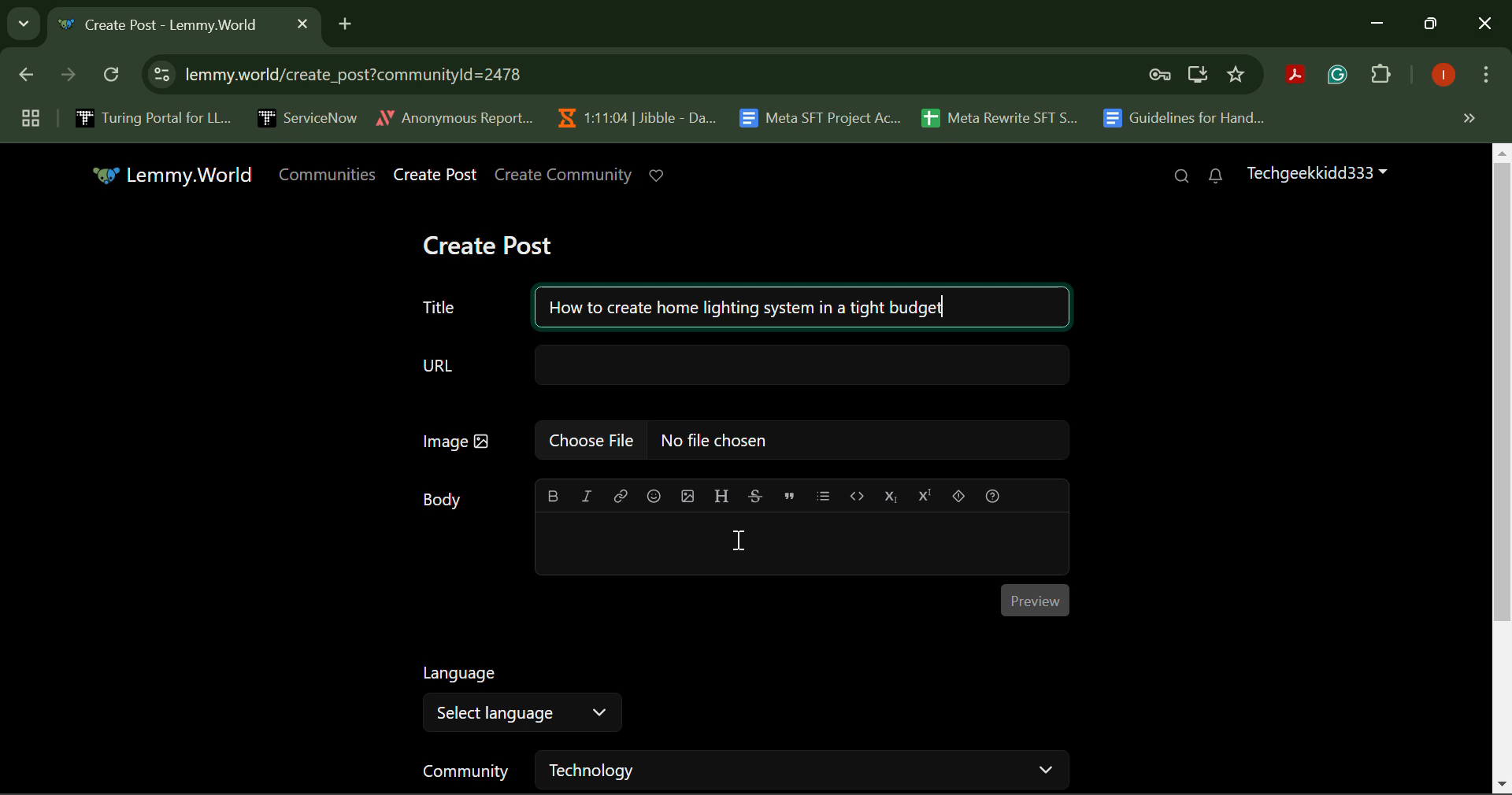 The width and height of the screenshot is (1512, 795). What do you see at coordinates (633, 114) in the screenshot?
I see `Jibble` at bounding box center [633, 114].